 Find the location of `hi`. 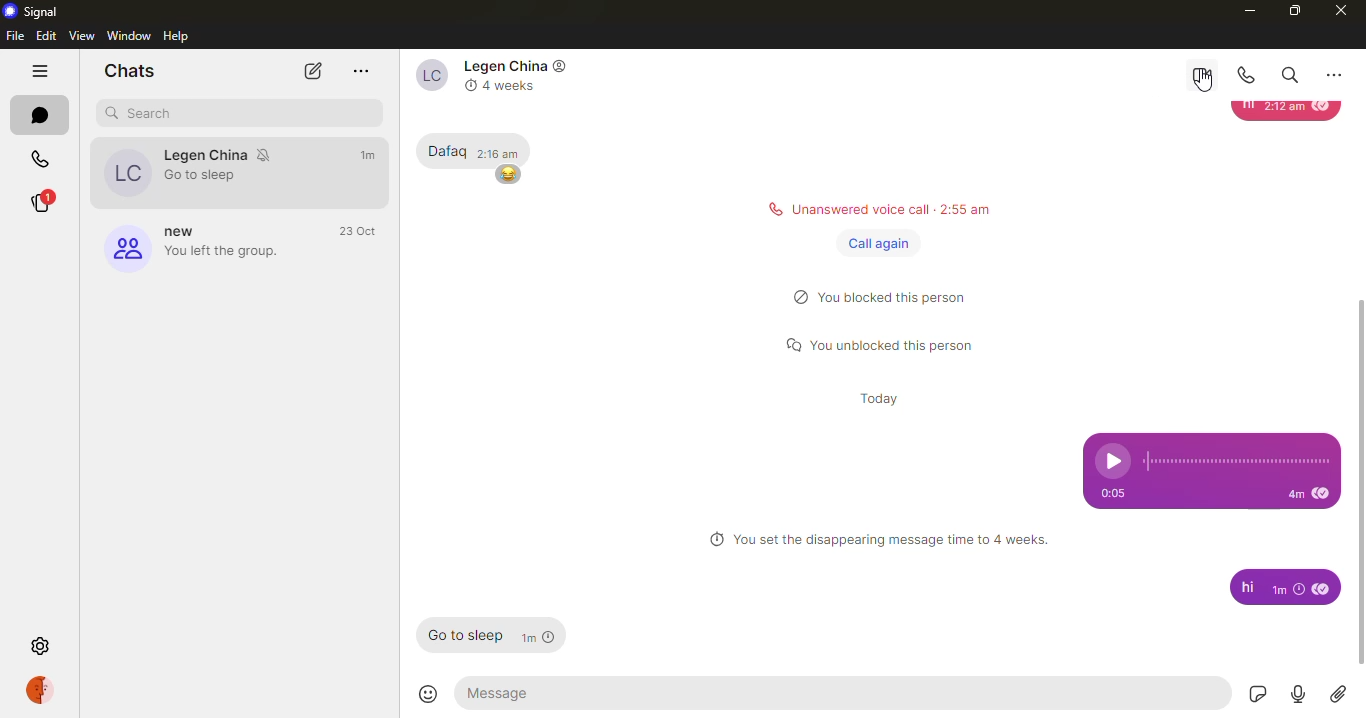

hi is located at coordinates (1243, 587).